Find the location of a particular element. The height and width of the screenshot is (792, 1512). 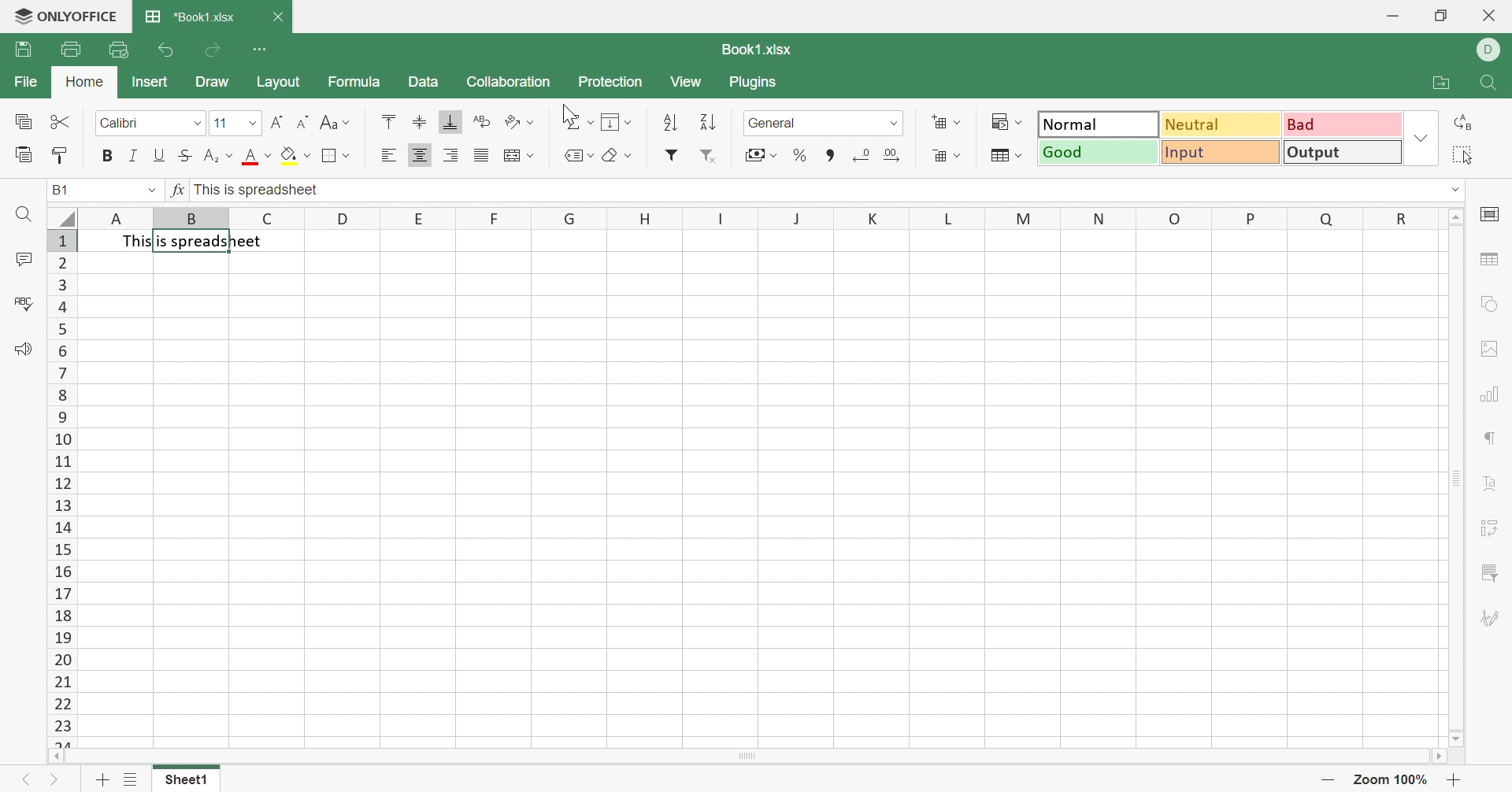

Scroll Down is located at coordinates (1453, 738).